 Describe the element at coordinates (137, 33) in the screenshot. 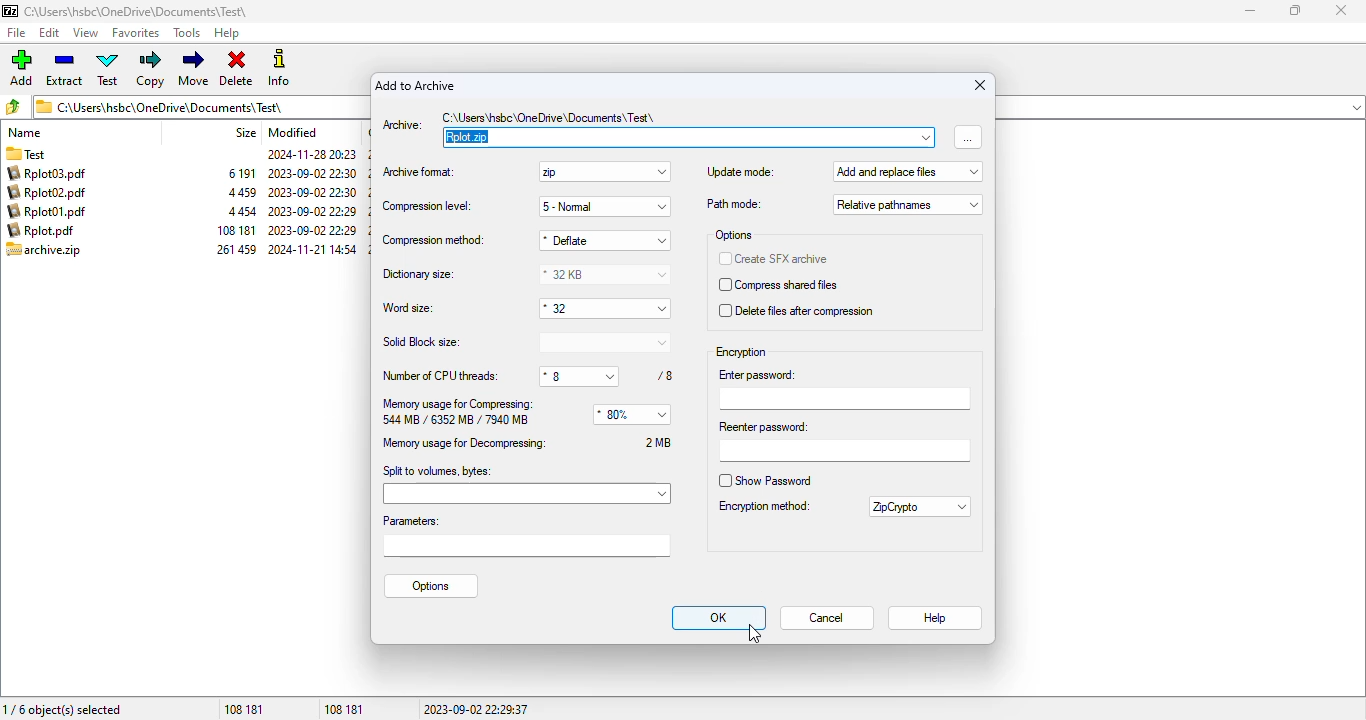

I see `favorites` at that location.